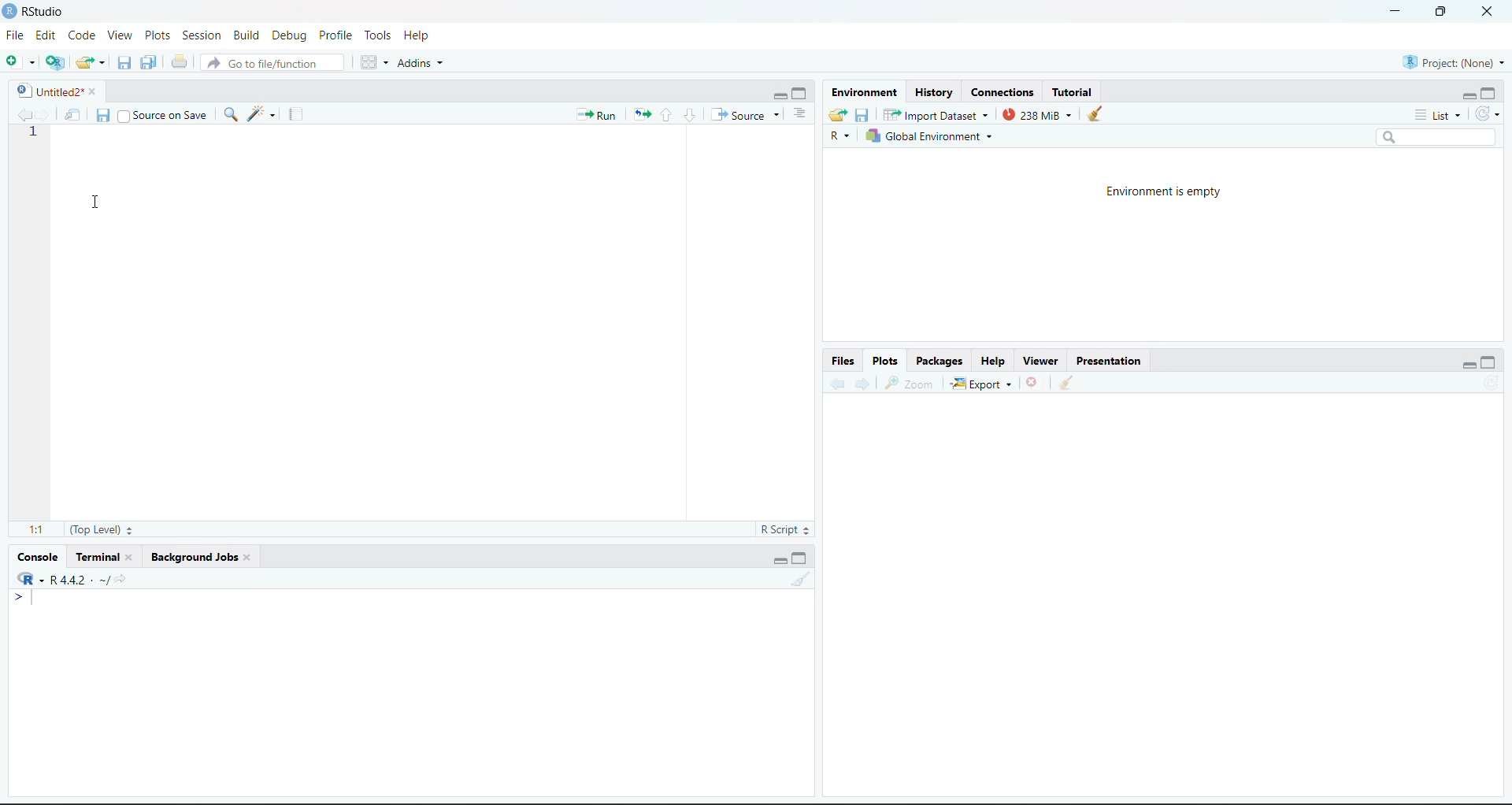 The width and height of the screenshot is (1512, 805). Describe the element at coordinates (780, 561) in the screenshot. I see `minimize` at that location.